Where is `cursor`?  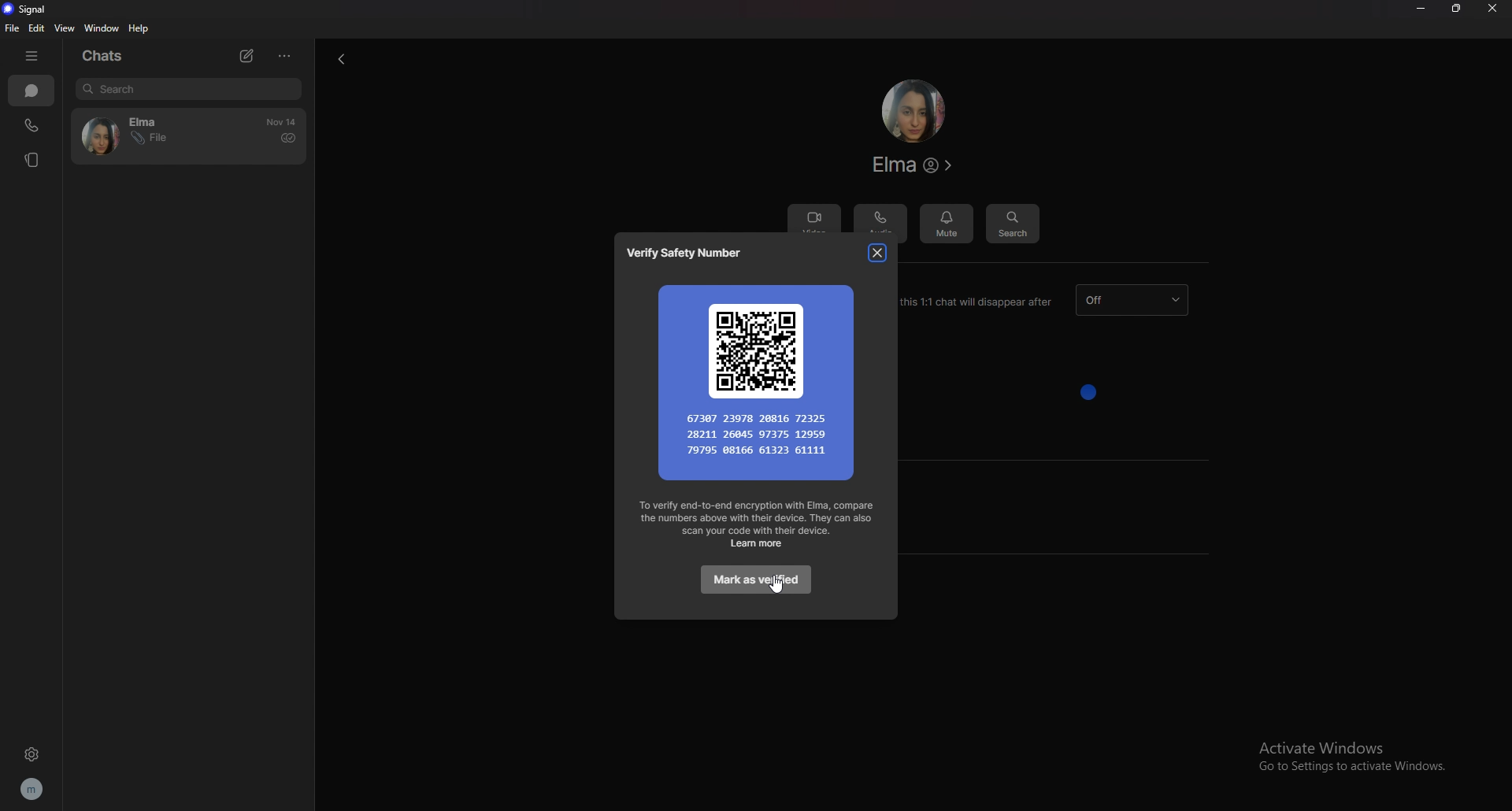 cursor is located at coordinates (778, 587).